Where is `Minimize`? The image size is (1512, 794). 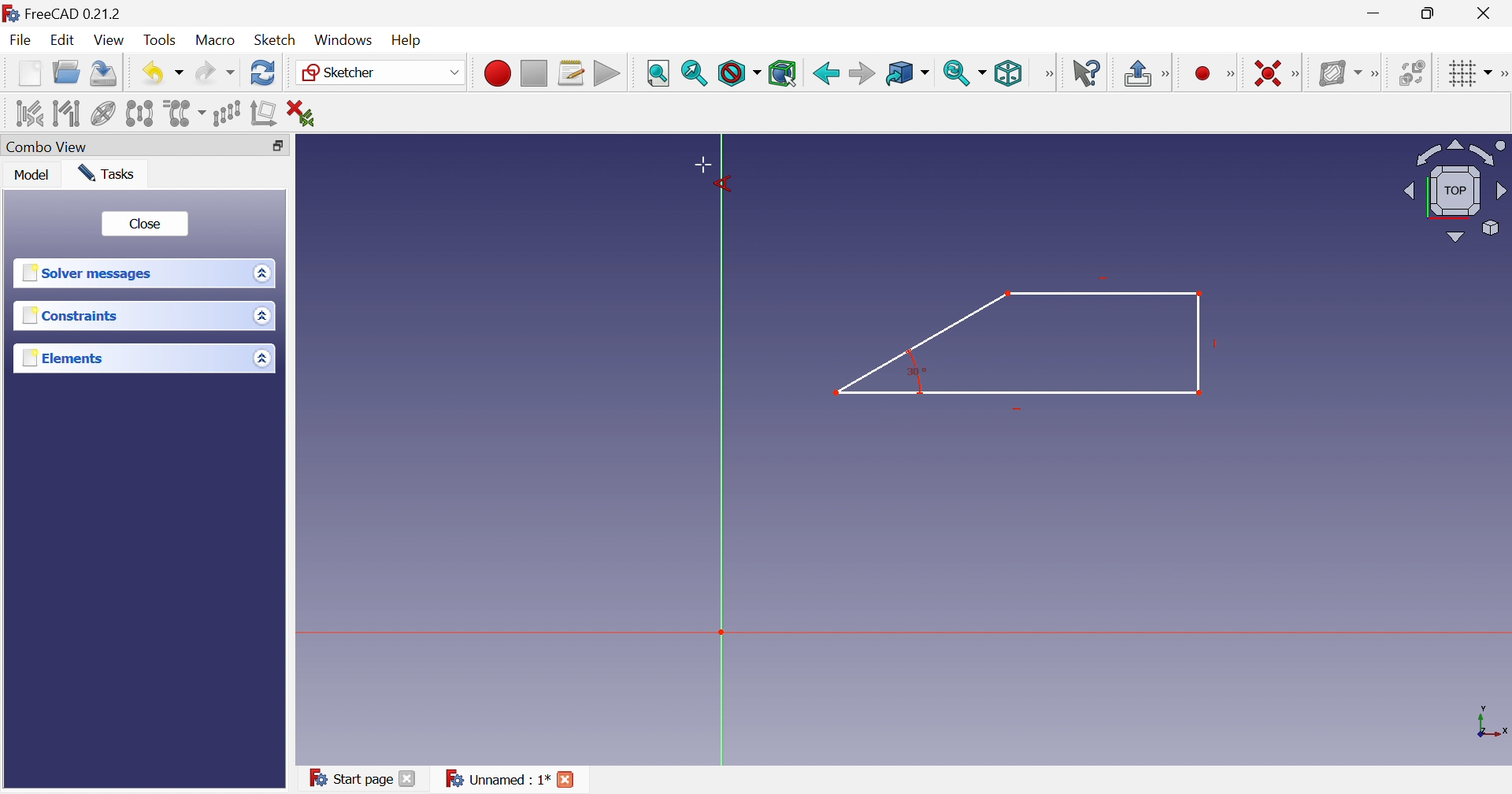
Minimize is located at coordinates (1374, 15).